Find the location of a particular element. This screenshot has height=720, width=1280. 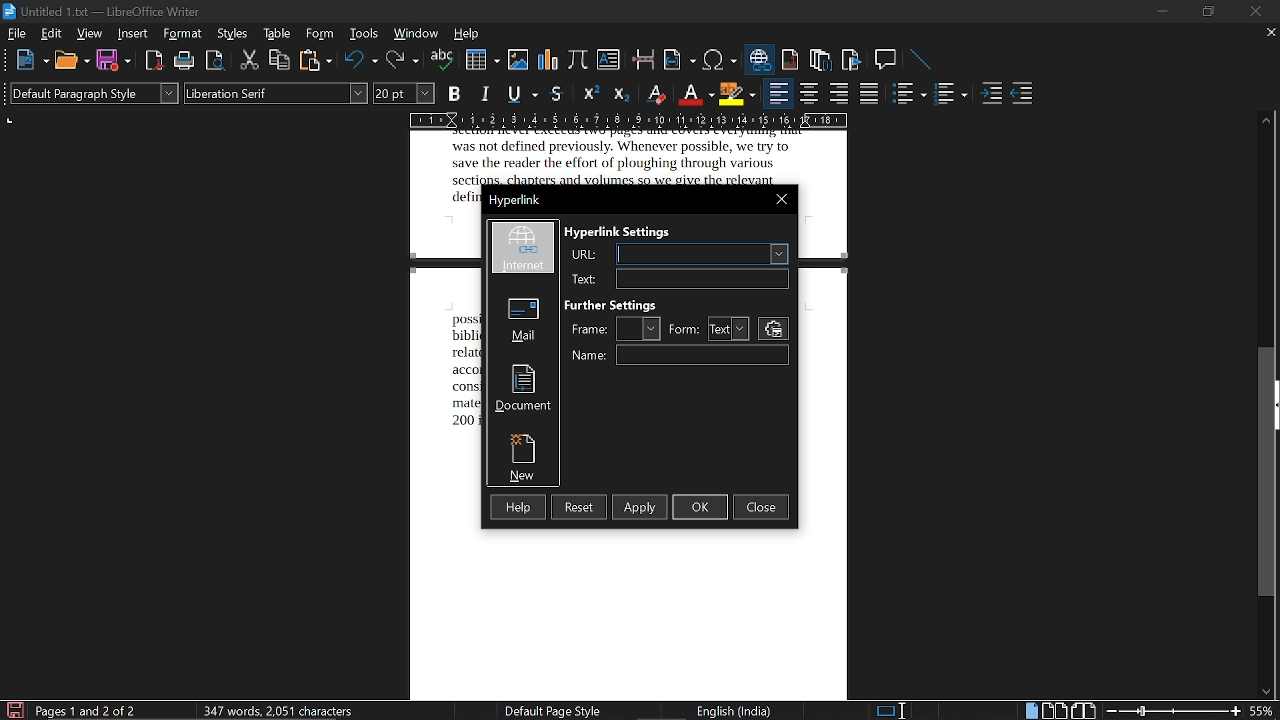

insert comment is located at coordinates (887, 60).